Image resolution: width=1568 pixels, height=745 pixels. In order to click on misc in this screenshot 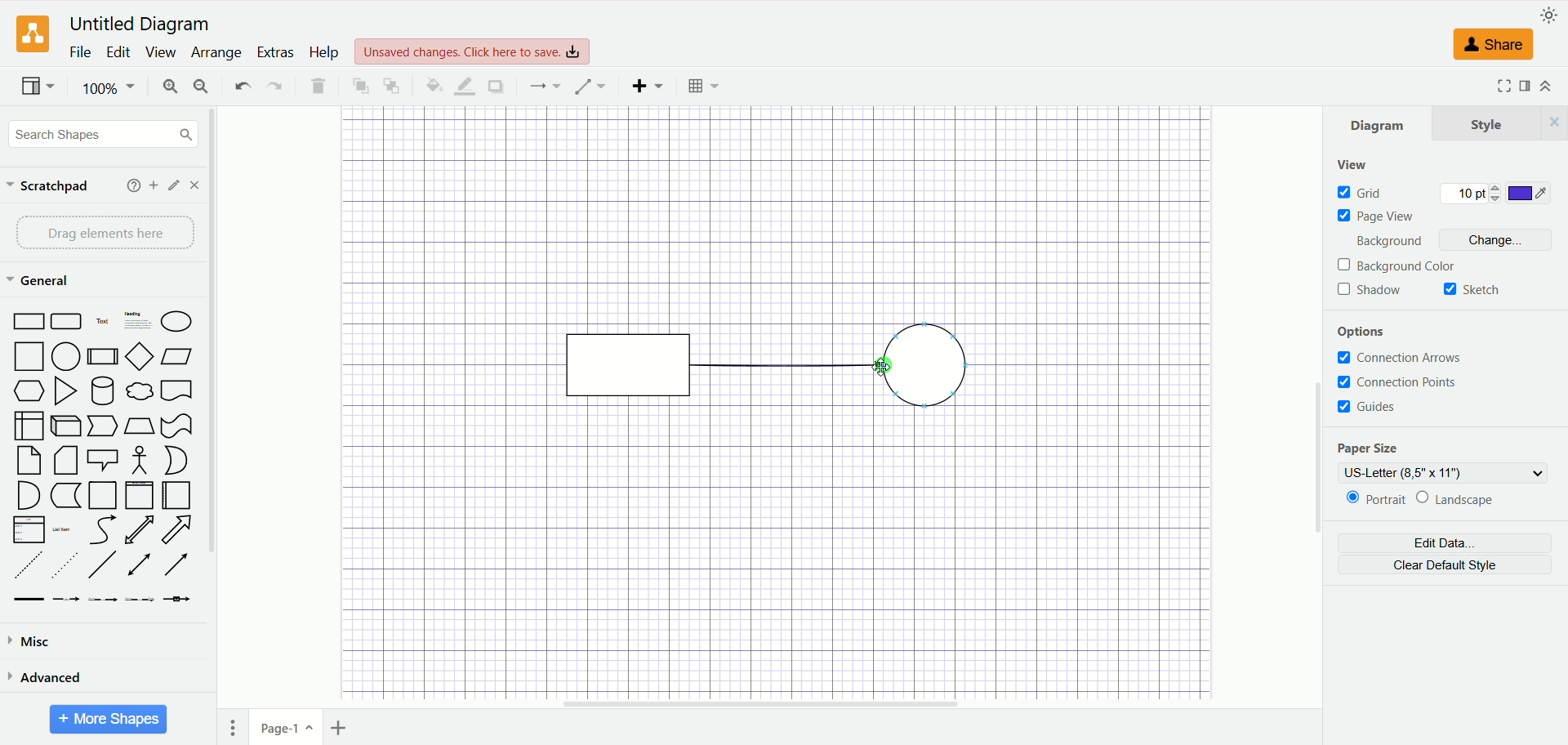, I will do `click(38, 640)`.